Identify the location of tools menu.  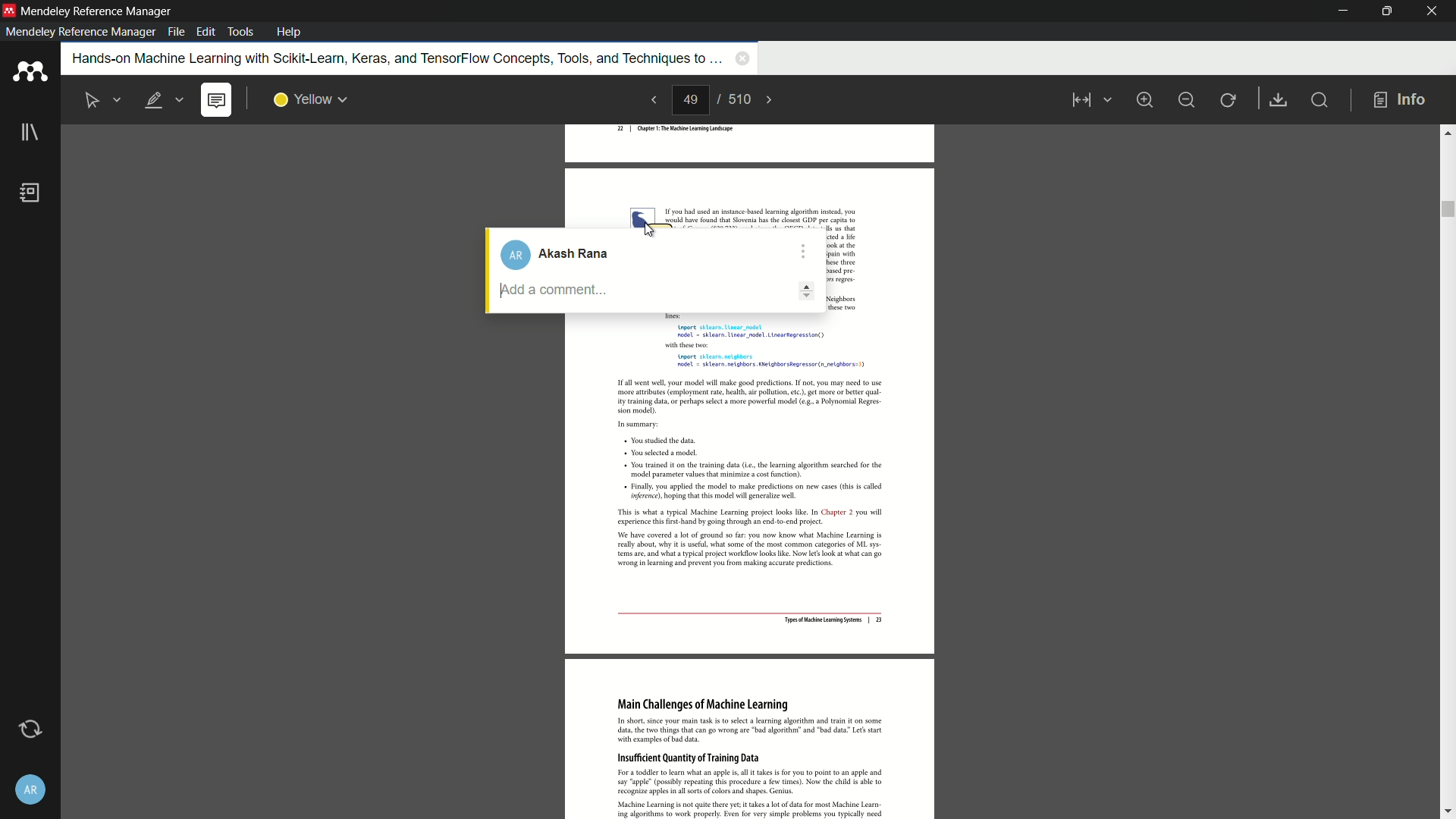
(242, 30).